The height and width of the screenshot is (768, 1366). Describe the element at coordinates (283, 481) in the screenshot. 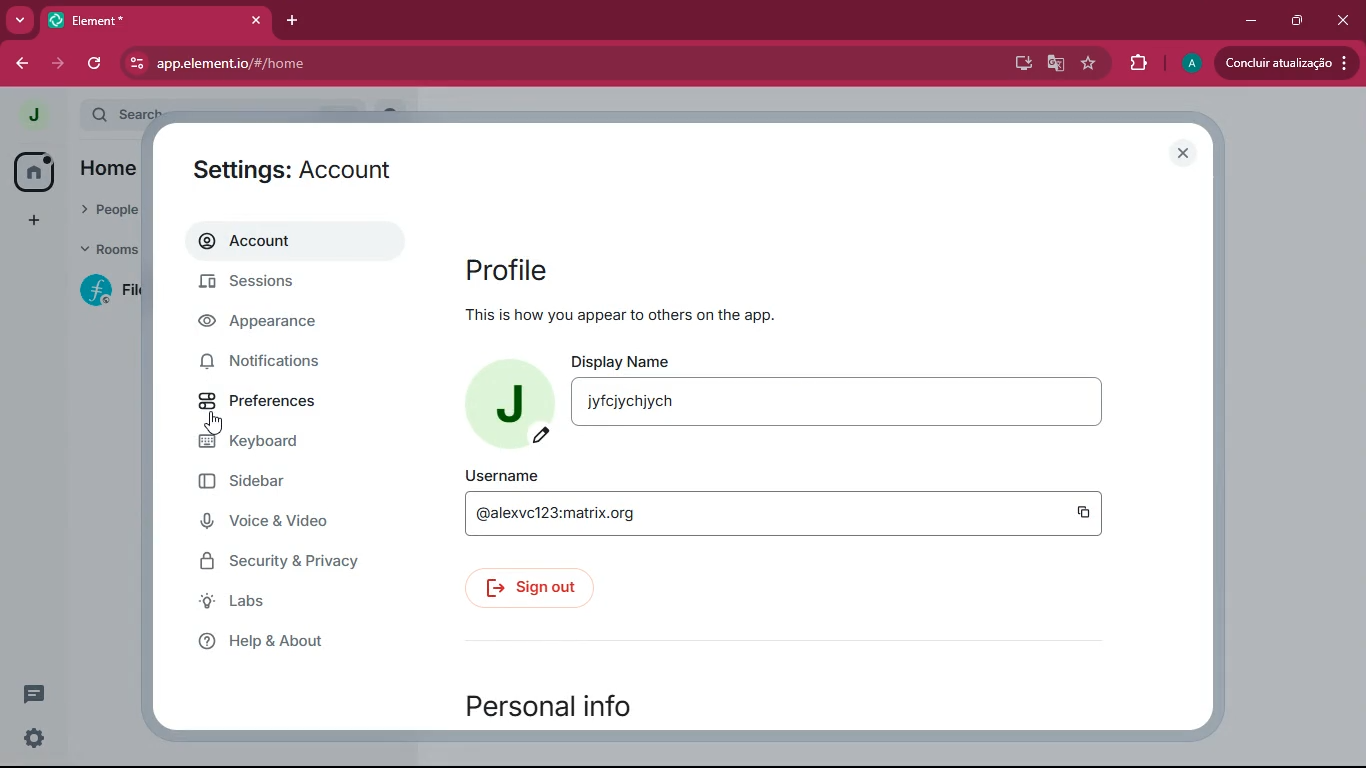

I see `sidebar` at that location.